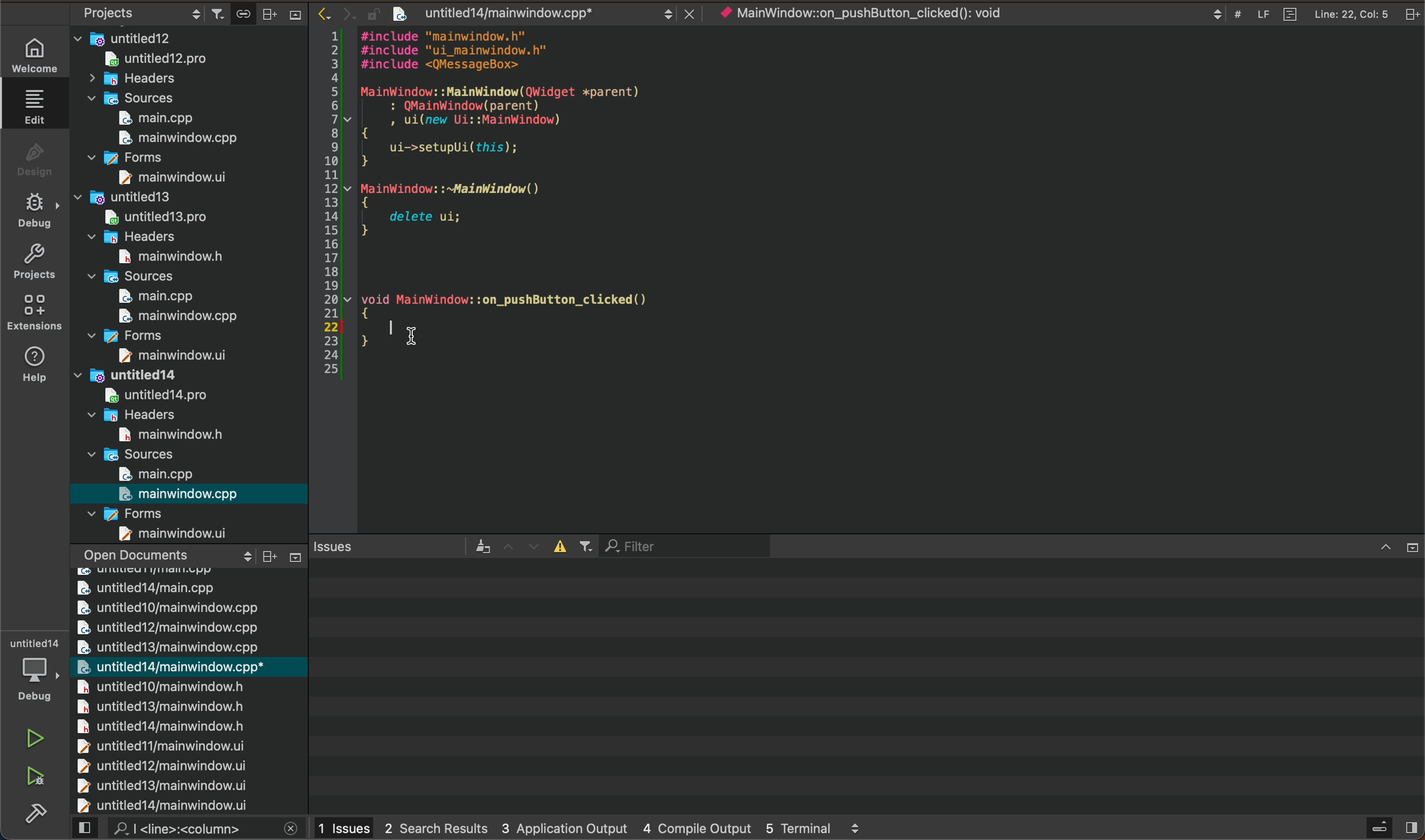  I want to click on untitled12, so click(190, 36).